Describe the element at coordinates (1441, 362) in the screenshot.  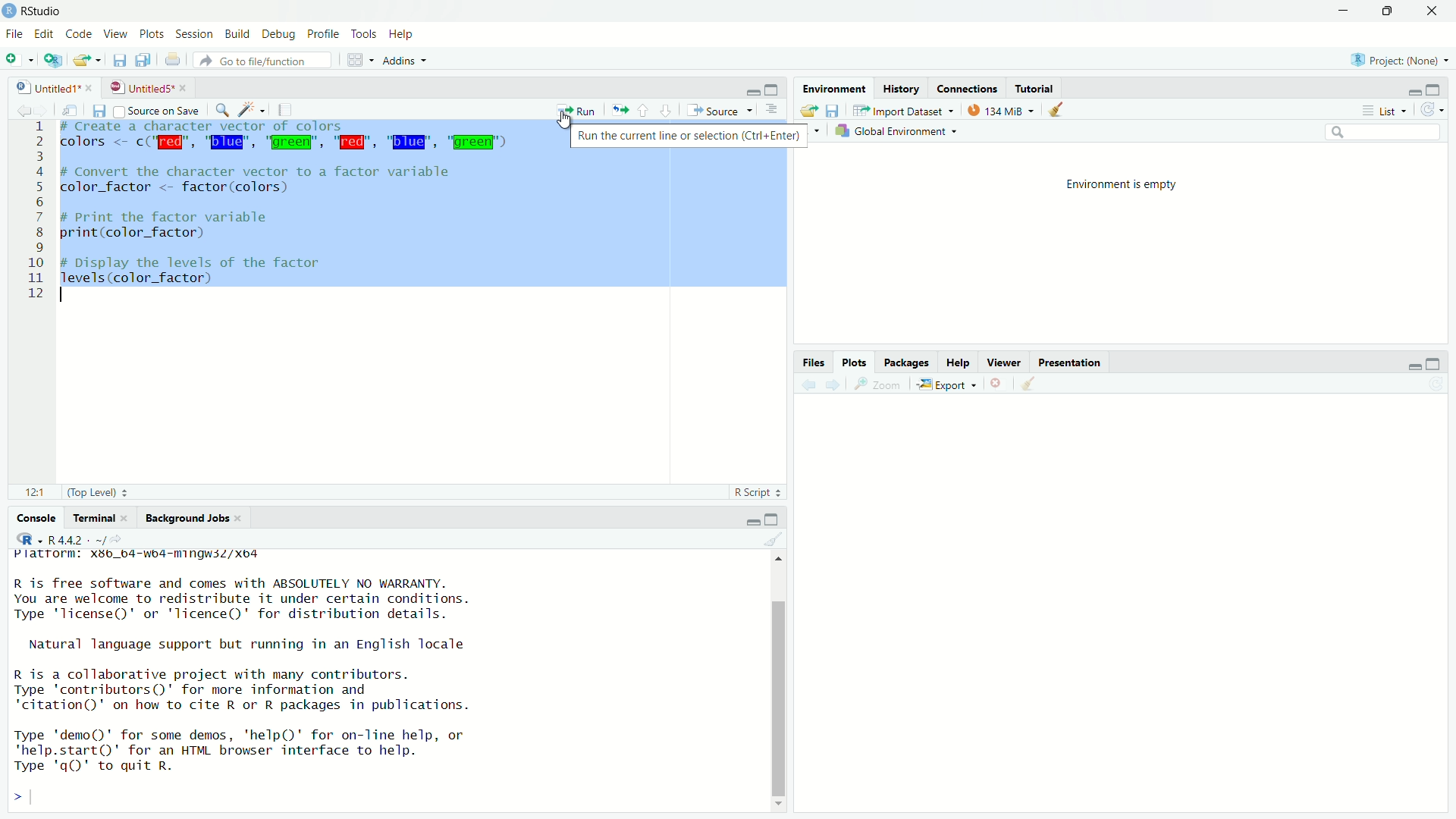
I see `maximize` at that location.